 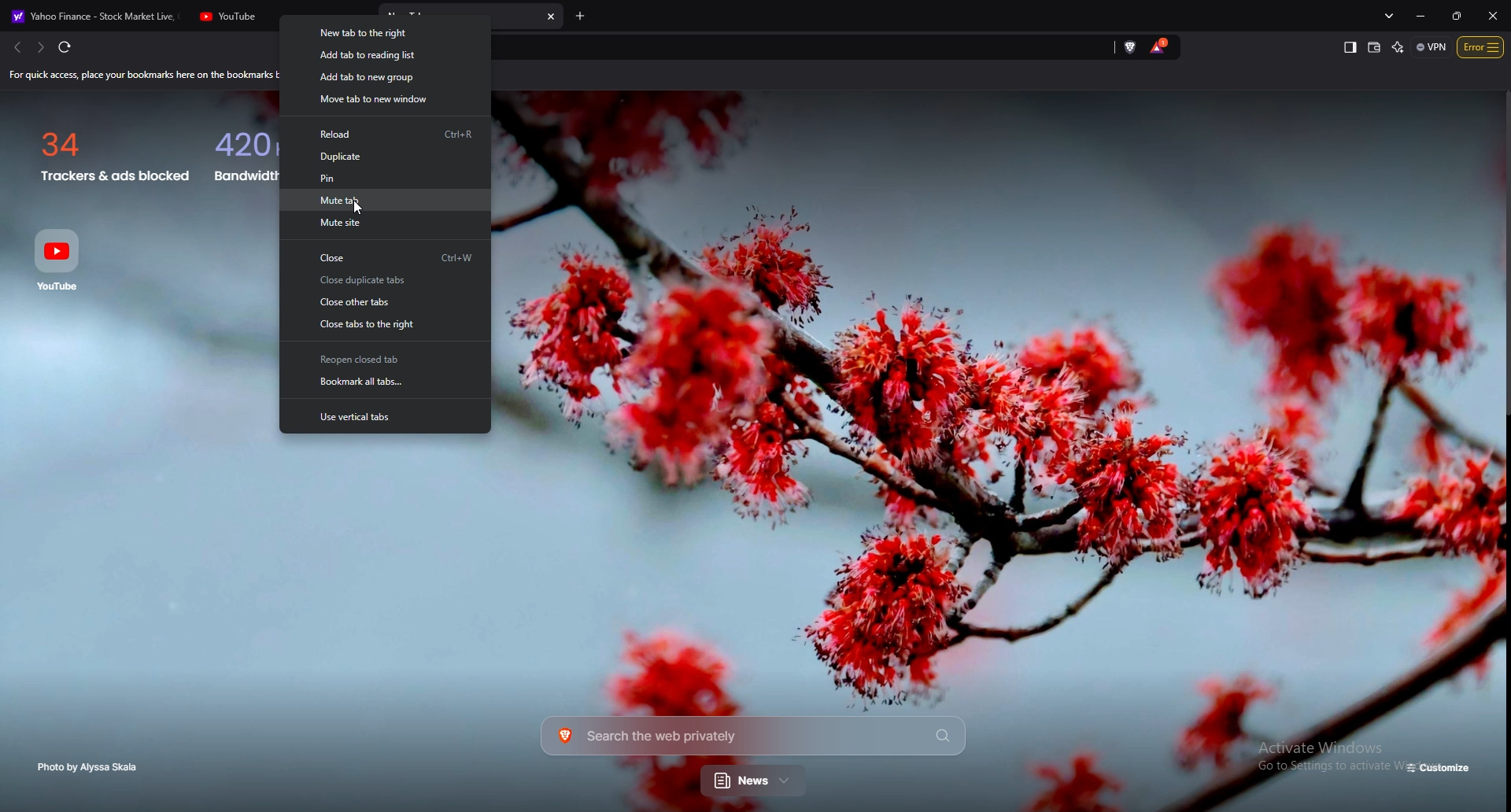 What do you see at coordinates (272, 14) in the screenshot?
I see `YouTube` at bounding box center [272, 14].